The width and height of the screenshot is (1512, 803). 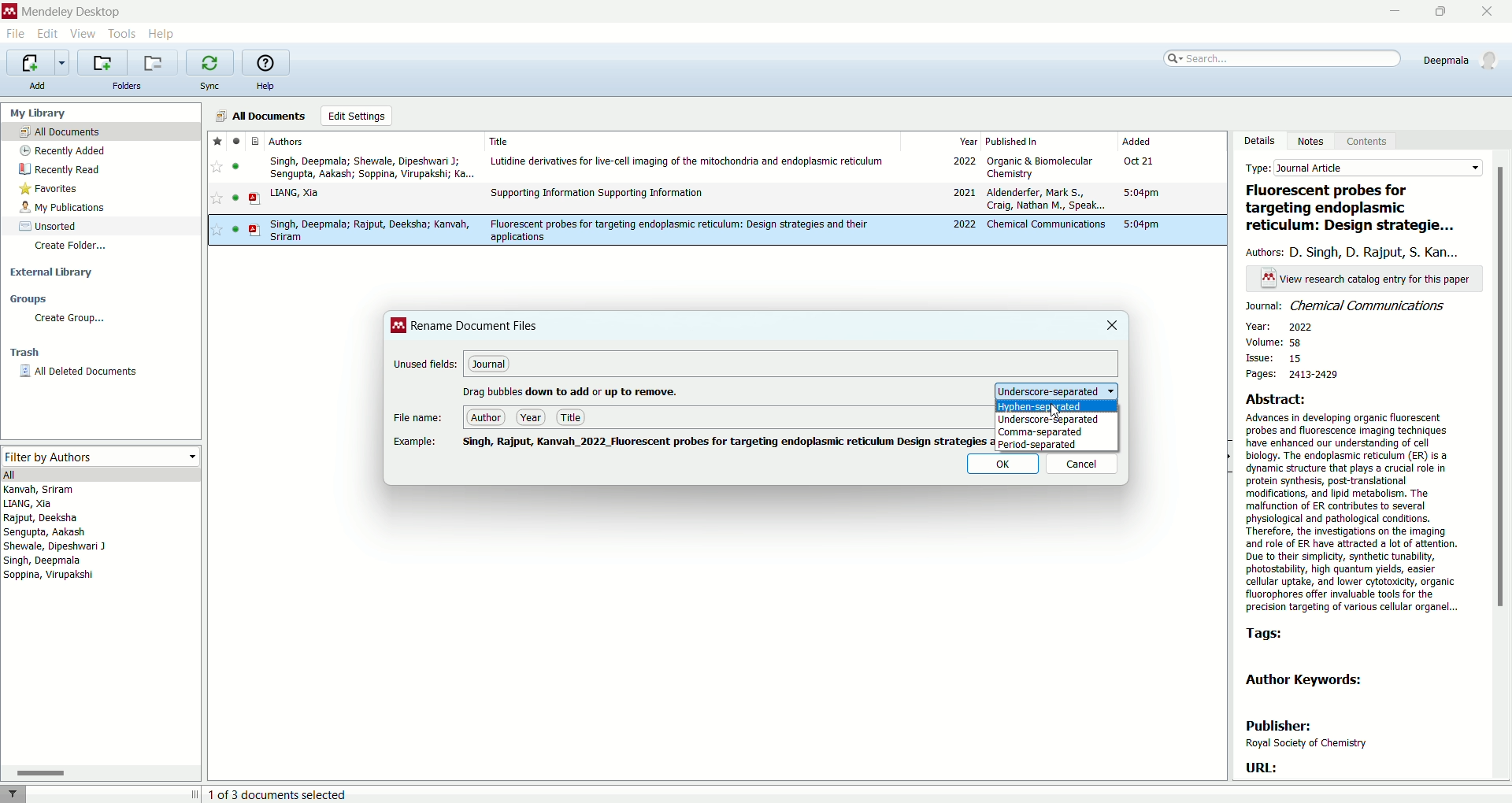 I want to click on all documents, so click(x=261, y=114).